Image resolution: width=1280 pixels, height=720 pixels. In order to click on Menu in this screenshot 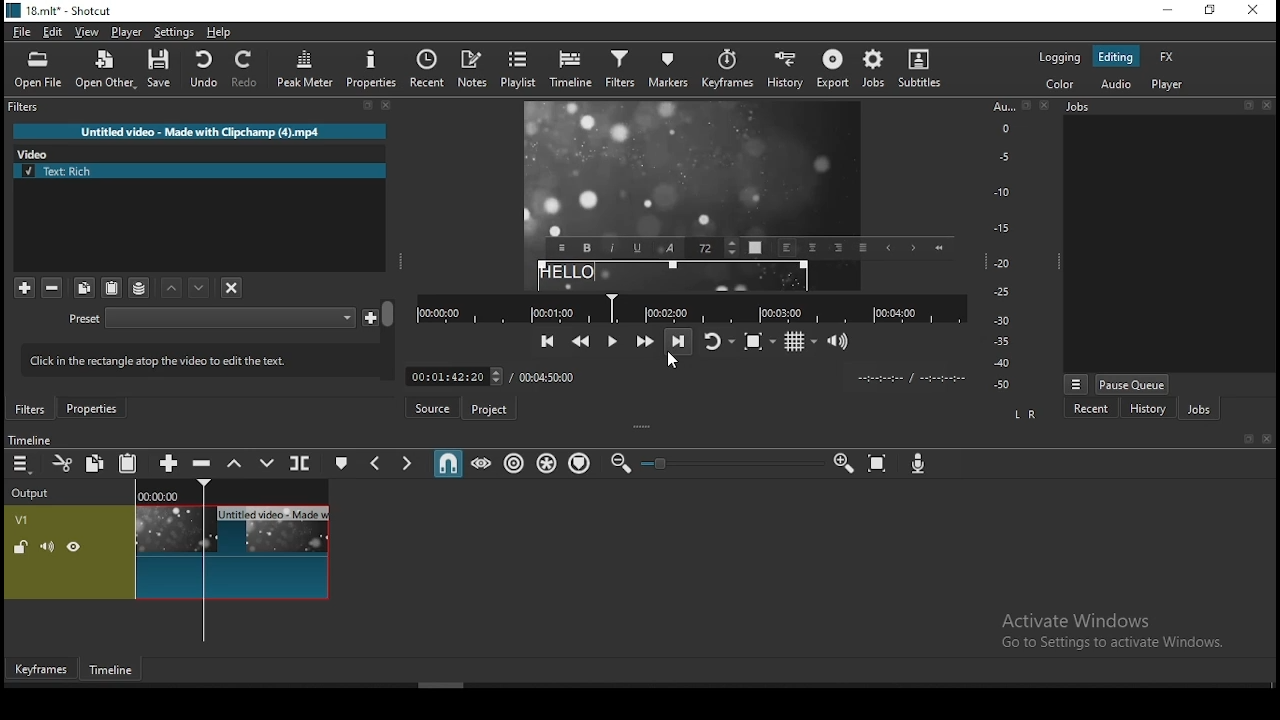, I will do `click(561, 248)`.